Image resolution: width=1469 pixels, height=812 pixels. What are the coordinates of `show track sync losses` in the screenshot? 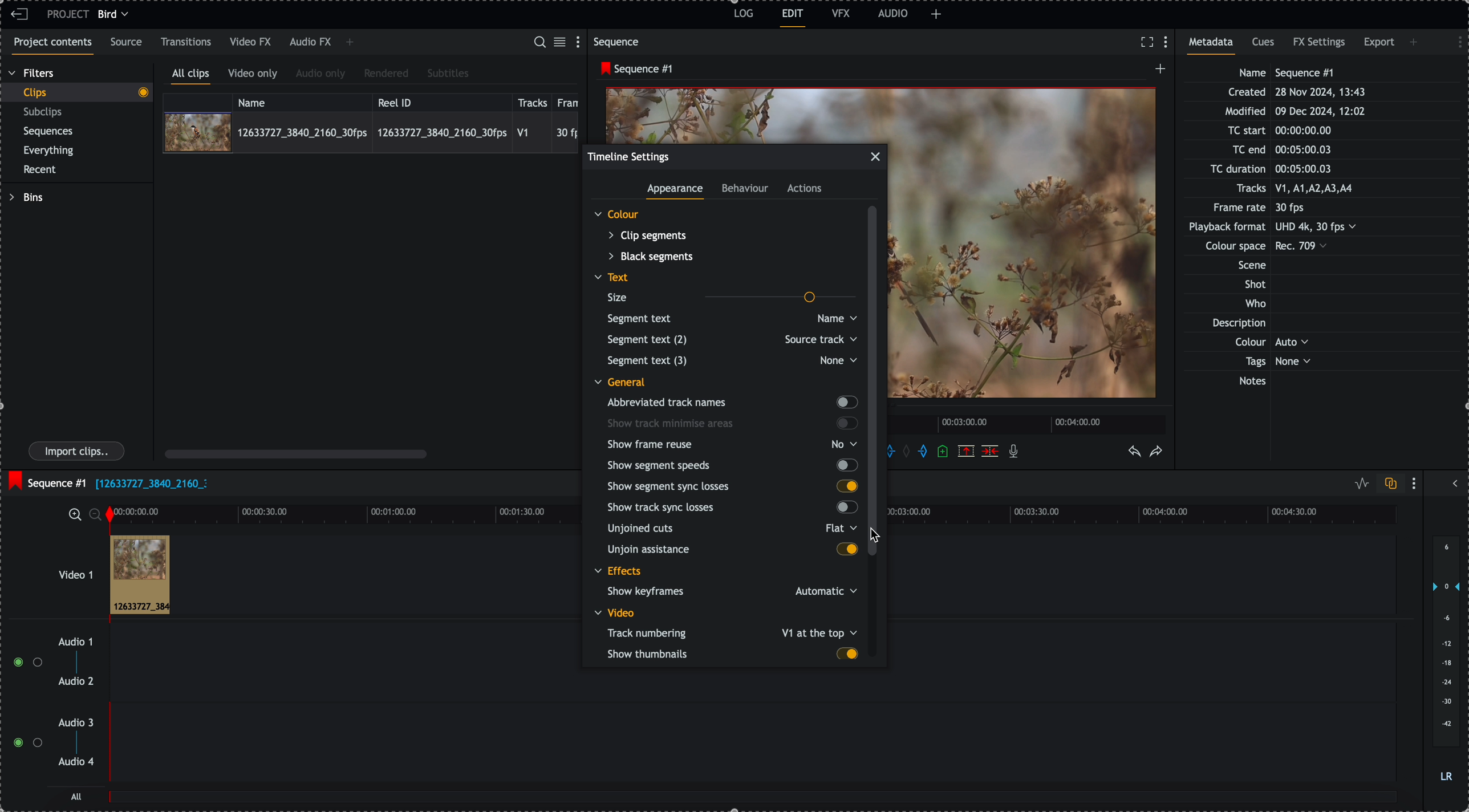 It's located at (731, 508).